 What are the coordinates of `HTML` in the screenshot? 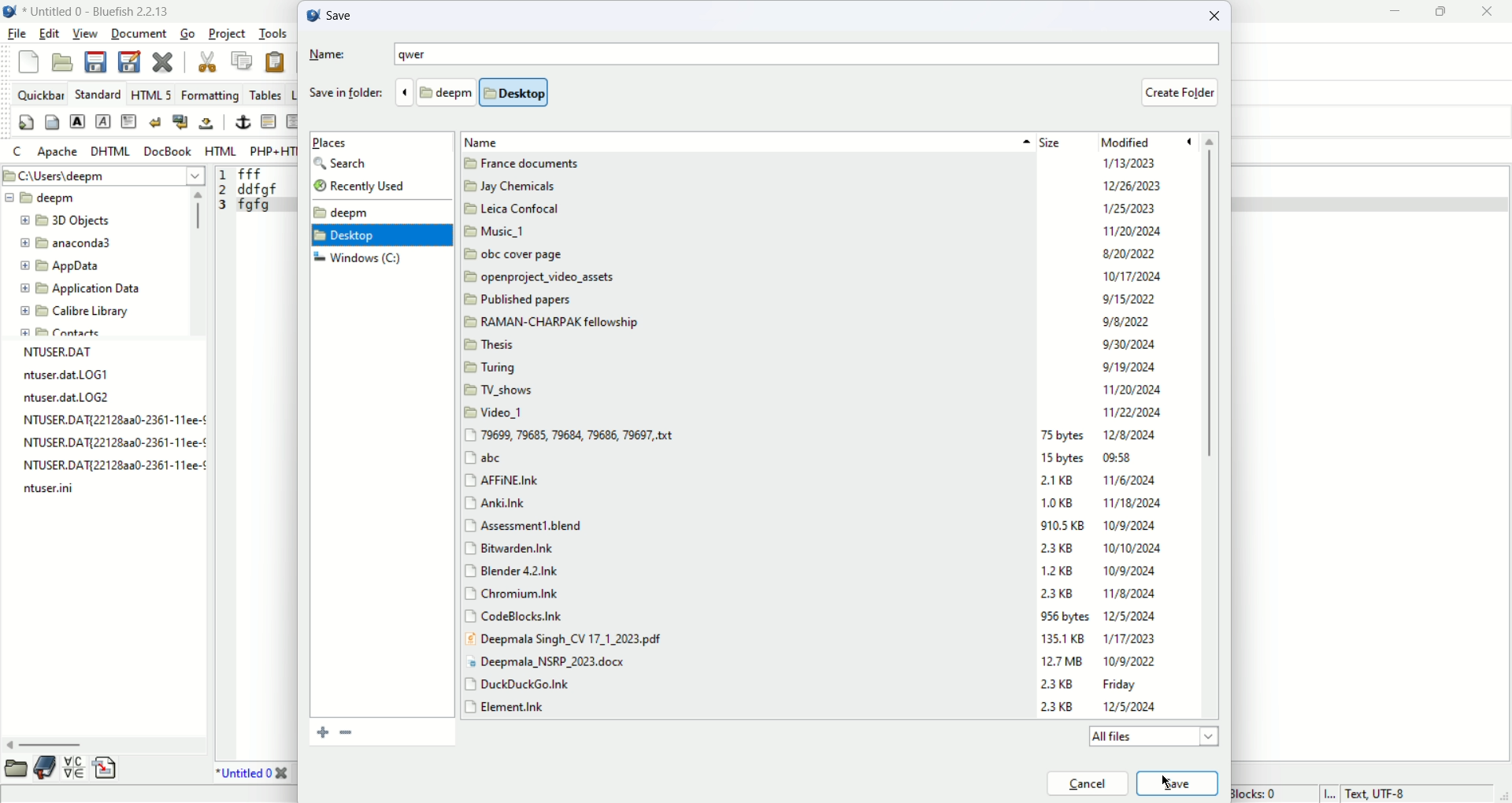 It's located at (220, 150).